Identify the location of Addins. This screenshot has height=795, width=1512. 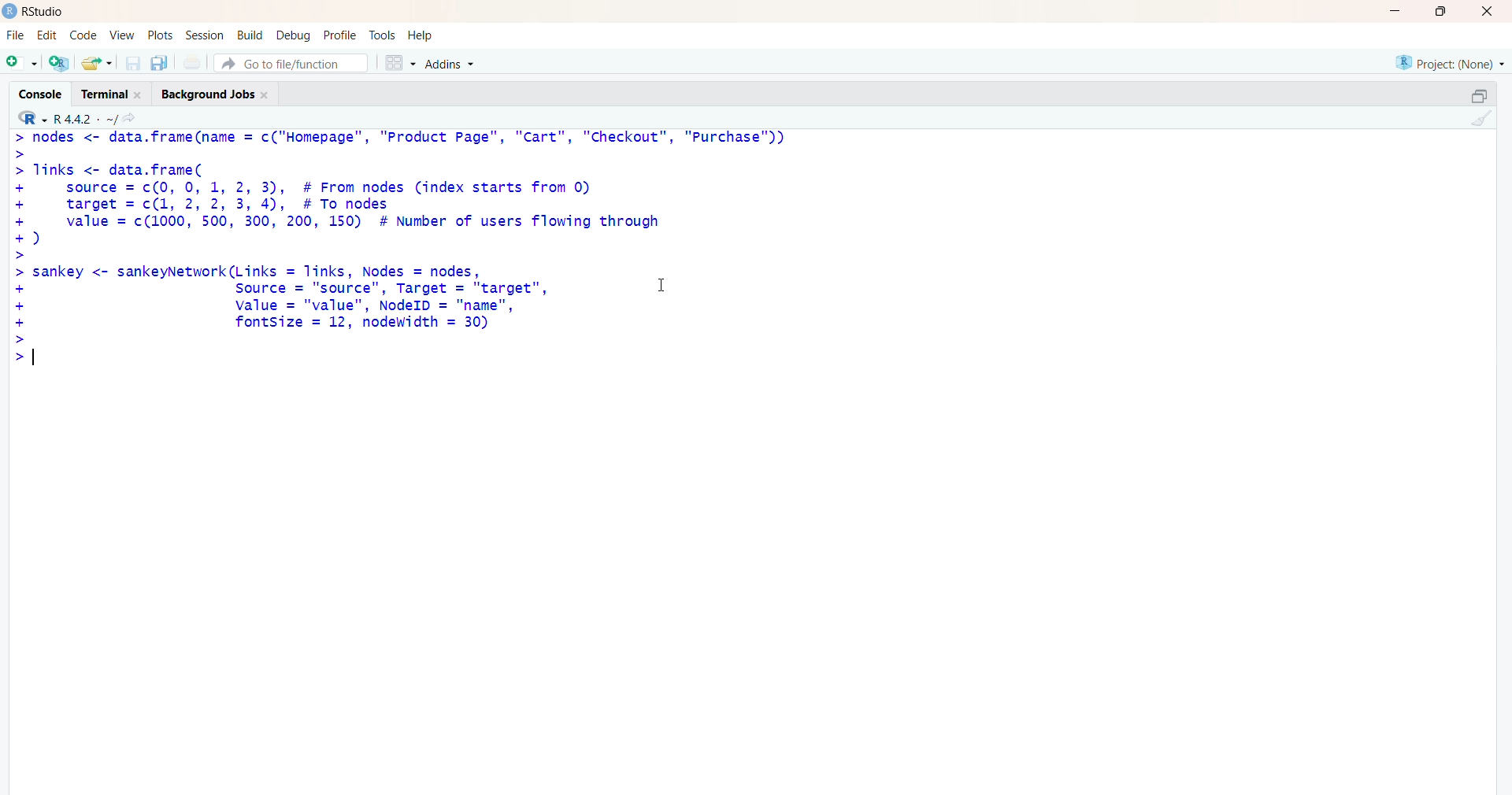
(449, 65).